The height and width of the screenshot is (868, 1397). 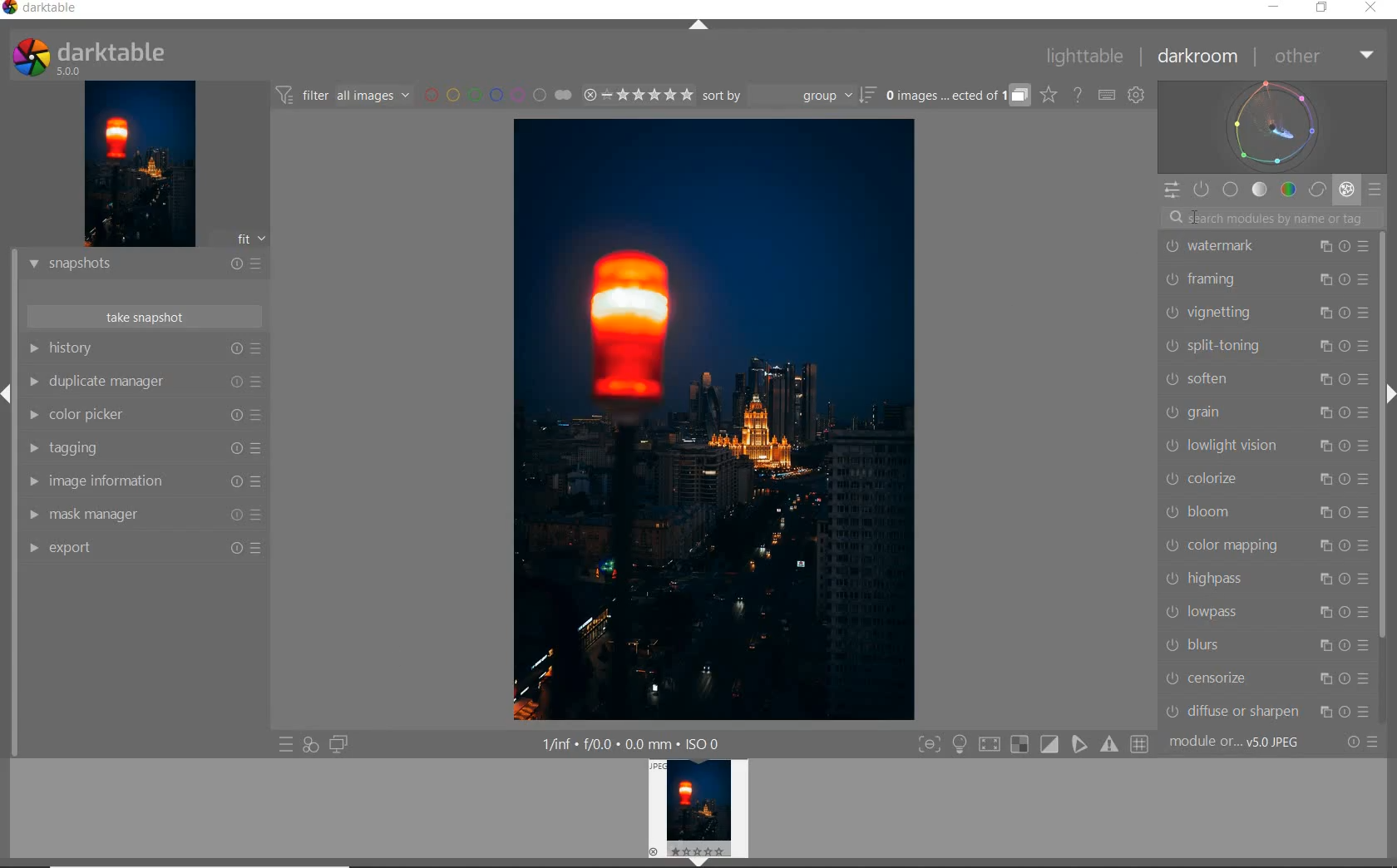 I want to click on IMAGE INFORMATION, so click(x=113, y=483).